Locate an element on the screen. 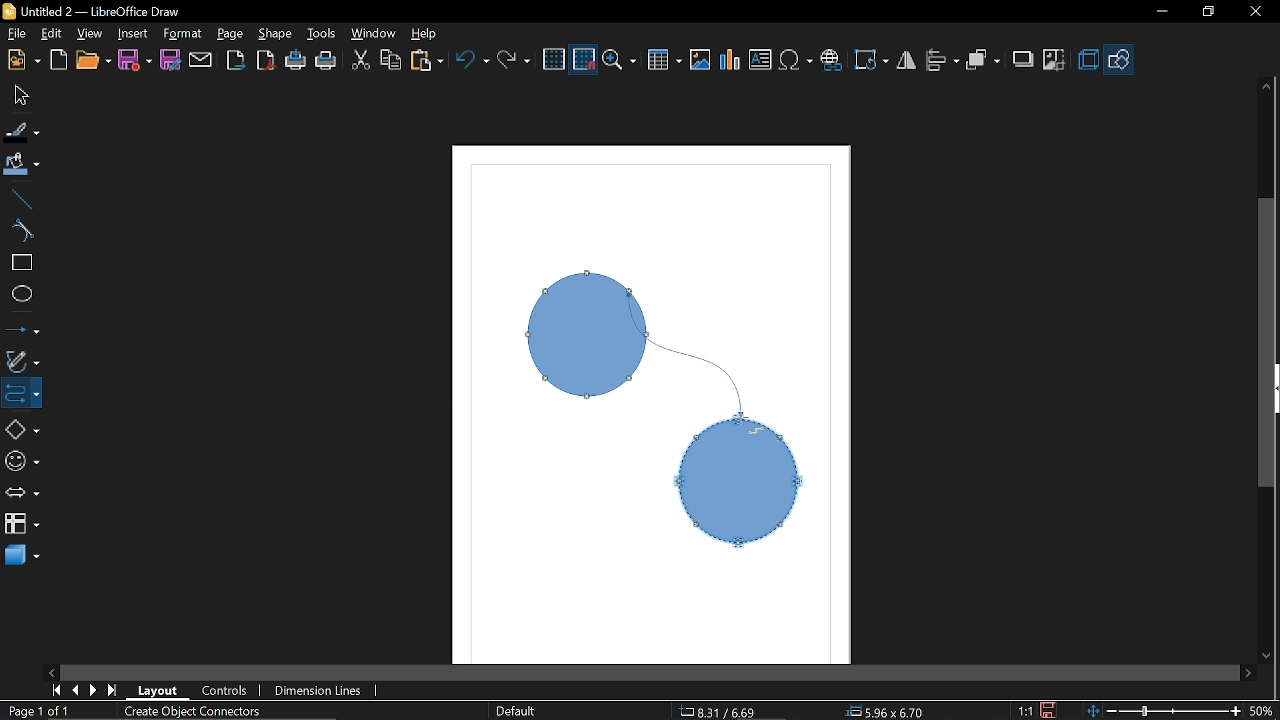 Image resolution: width=1280 pixels, height=720 pixels. Zoom is located at coordinates (622, 59).